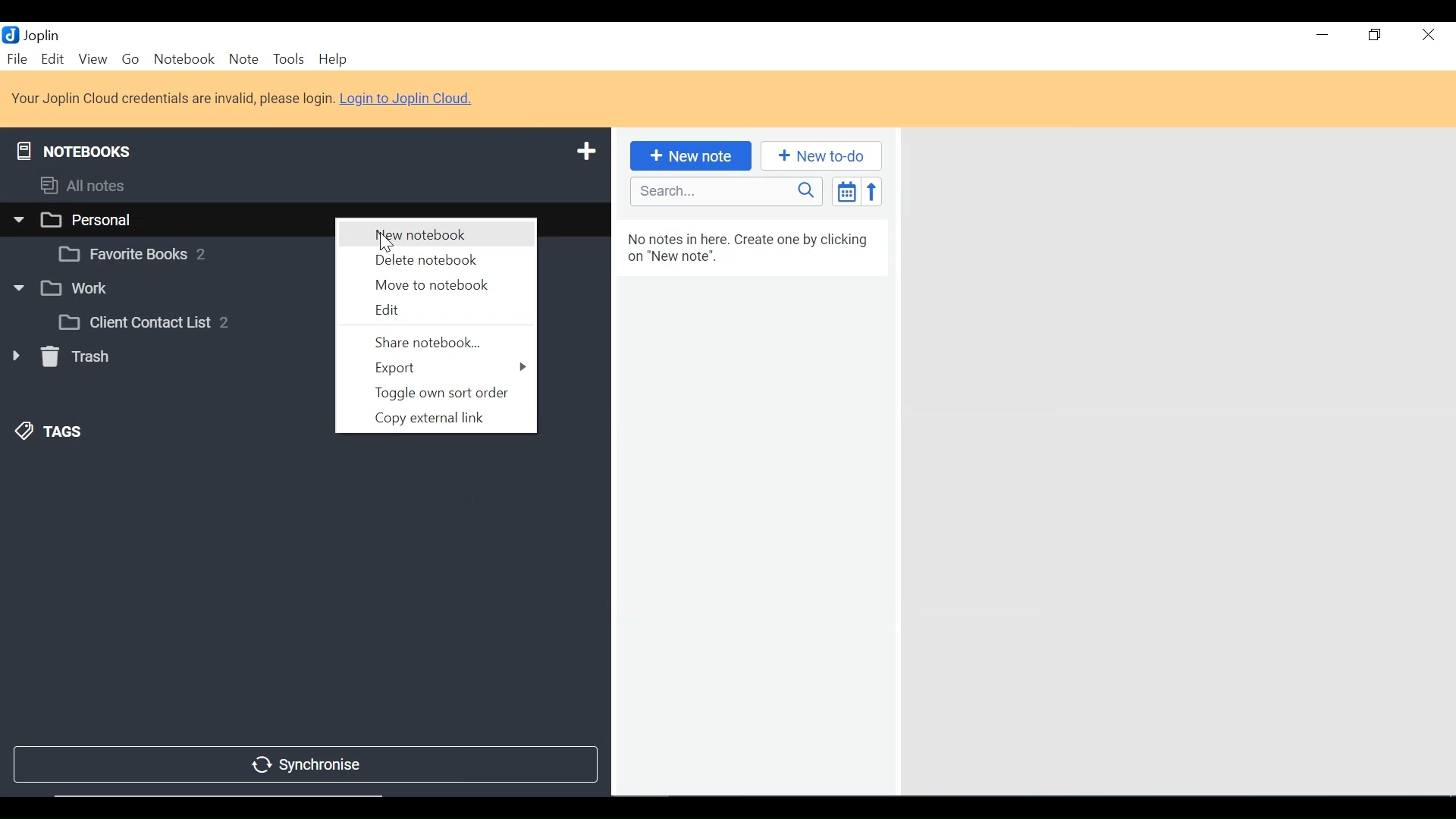 This screenshot has width=1456, height=819. I want to click on View, so click(93, 60).